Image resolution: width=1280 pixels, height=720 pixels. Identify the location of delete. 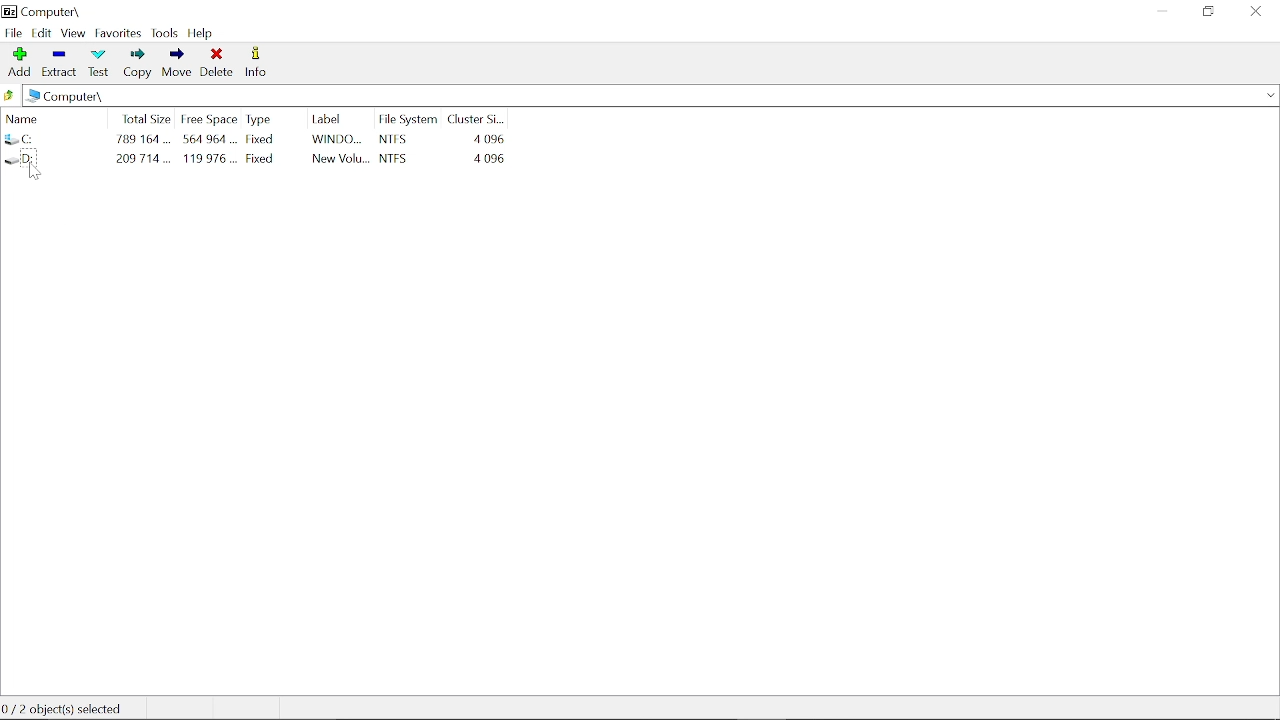
(217, 62).